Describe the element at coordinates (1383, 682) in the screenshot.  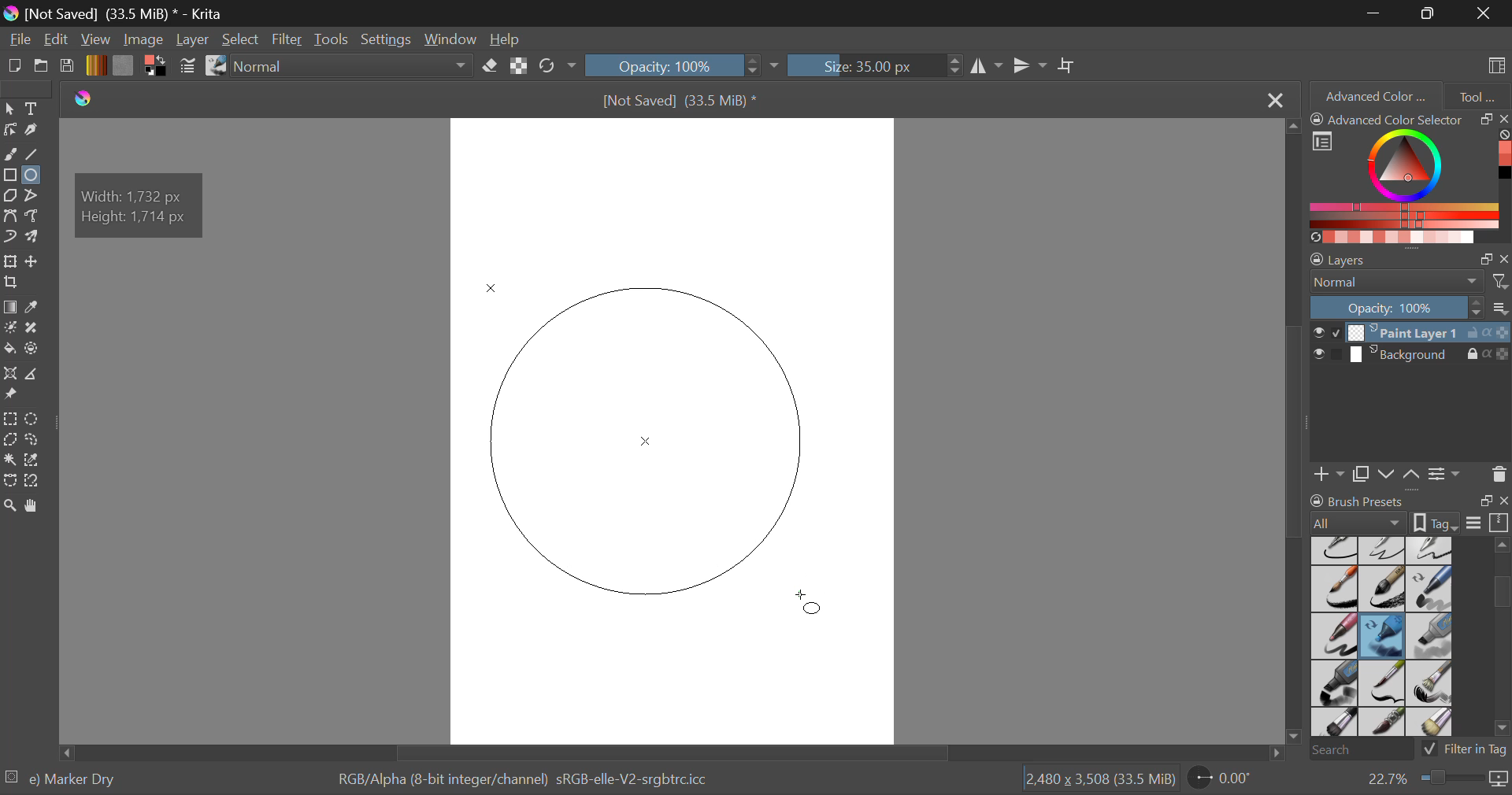
I see `Bristles-1 Details` at that location.